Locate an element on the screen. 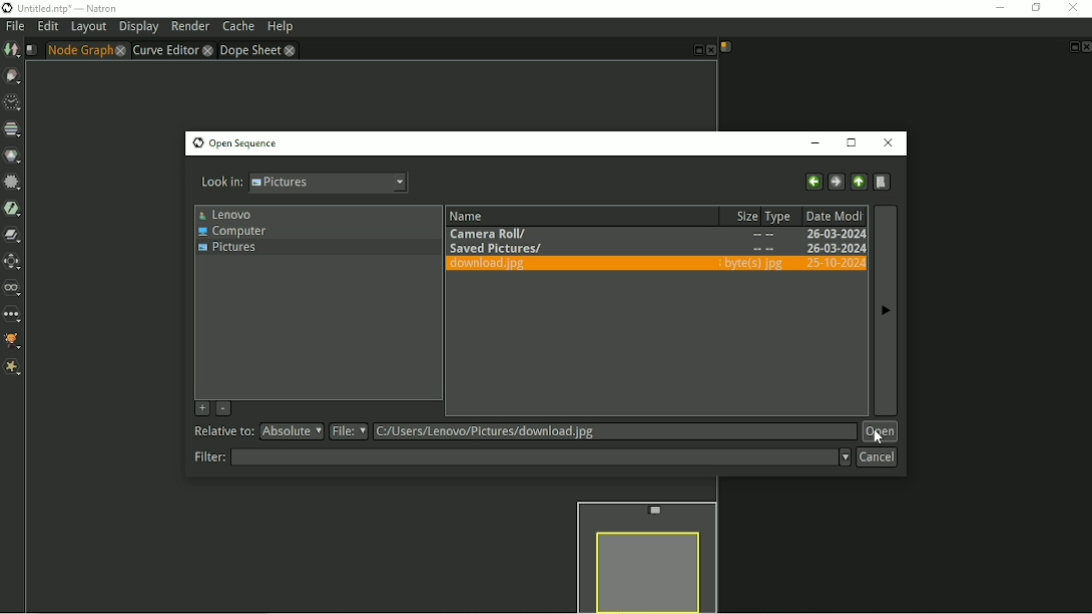 The height and width of the screenshot is (614, 1092). Script name is located at coordinates (31, 50).